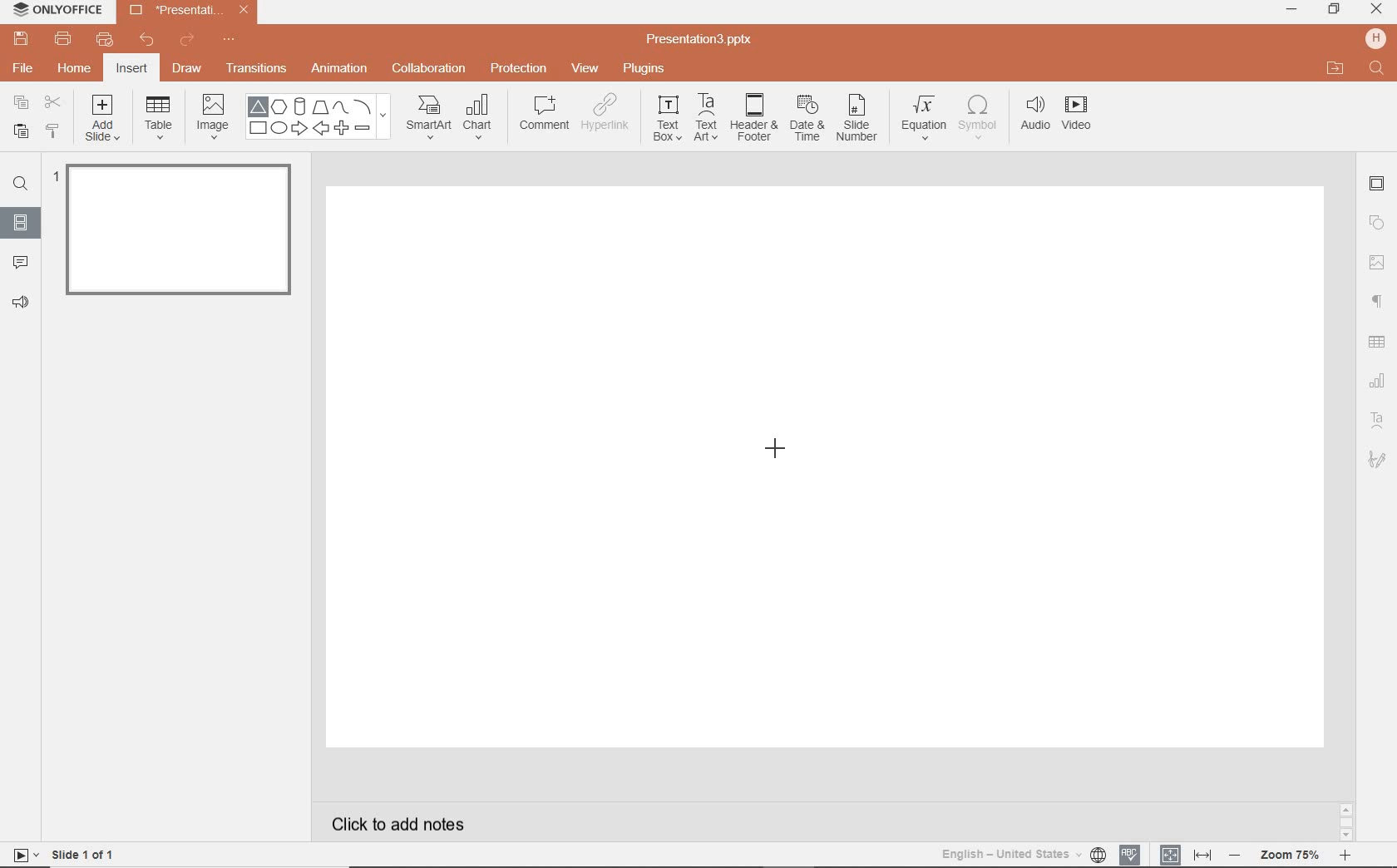 The width and height of the screenshot is (1397, 868). What do you see at coordinates (131, 70) in the screenshot?
I see `INSERT` at bounding box center [131, 70].